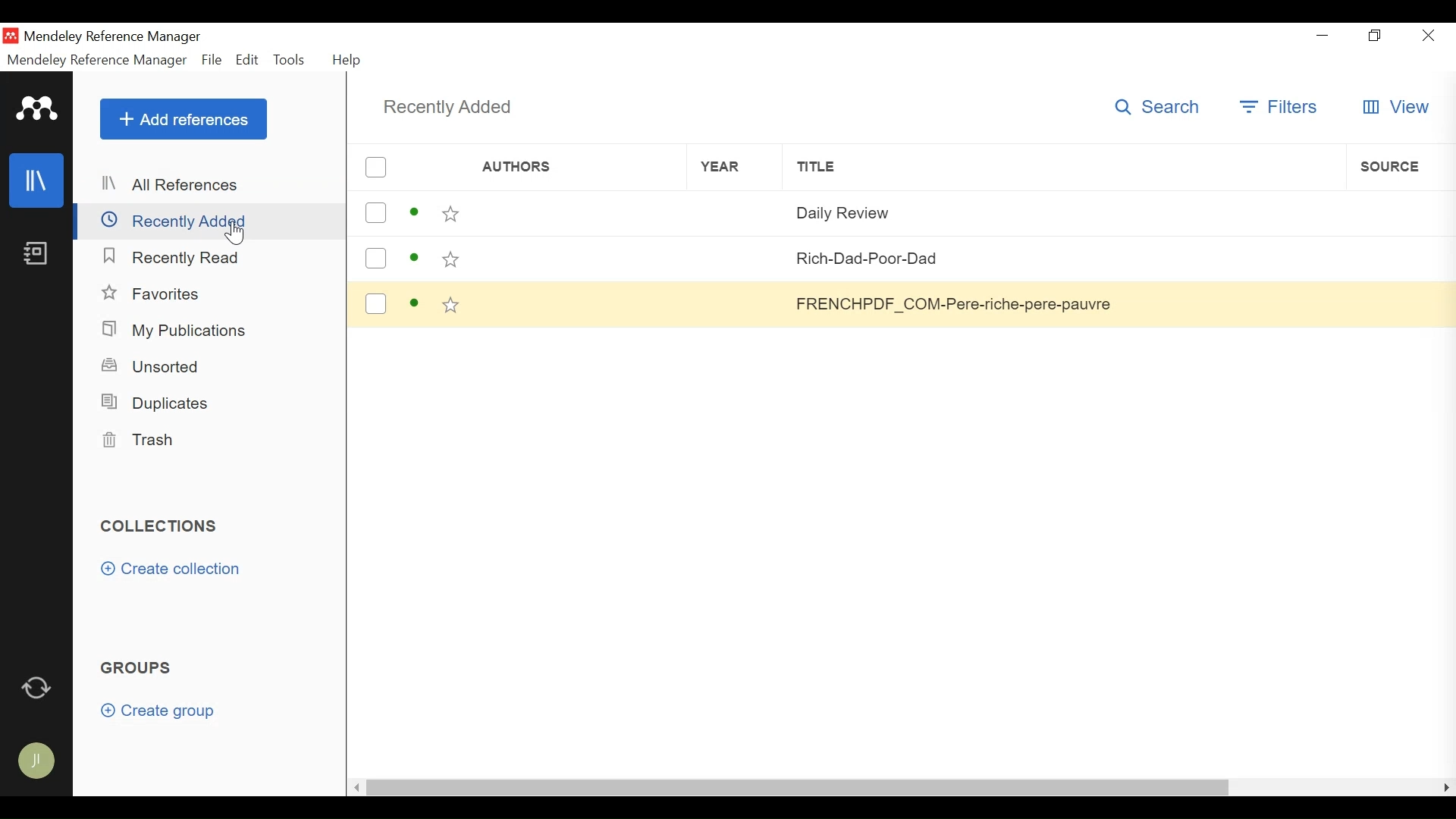 The image size is (1456, 819). I want to click on Year, so click(715, 167).